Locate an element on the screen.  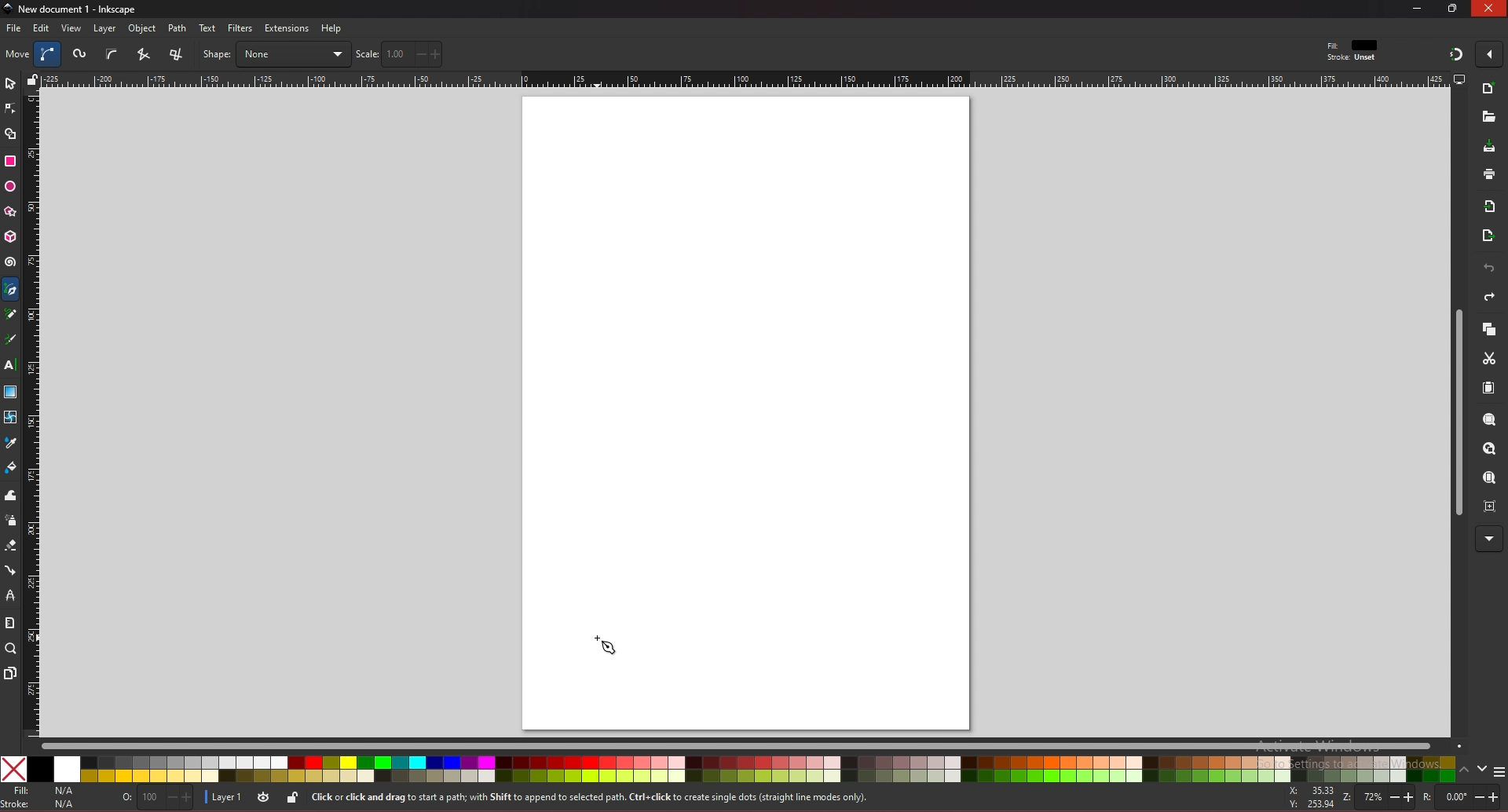
print is located at coordinates (1489, 174).